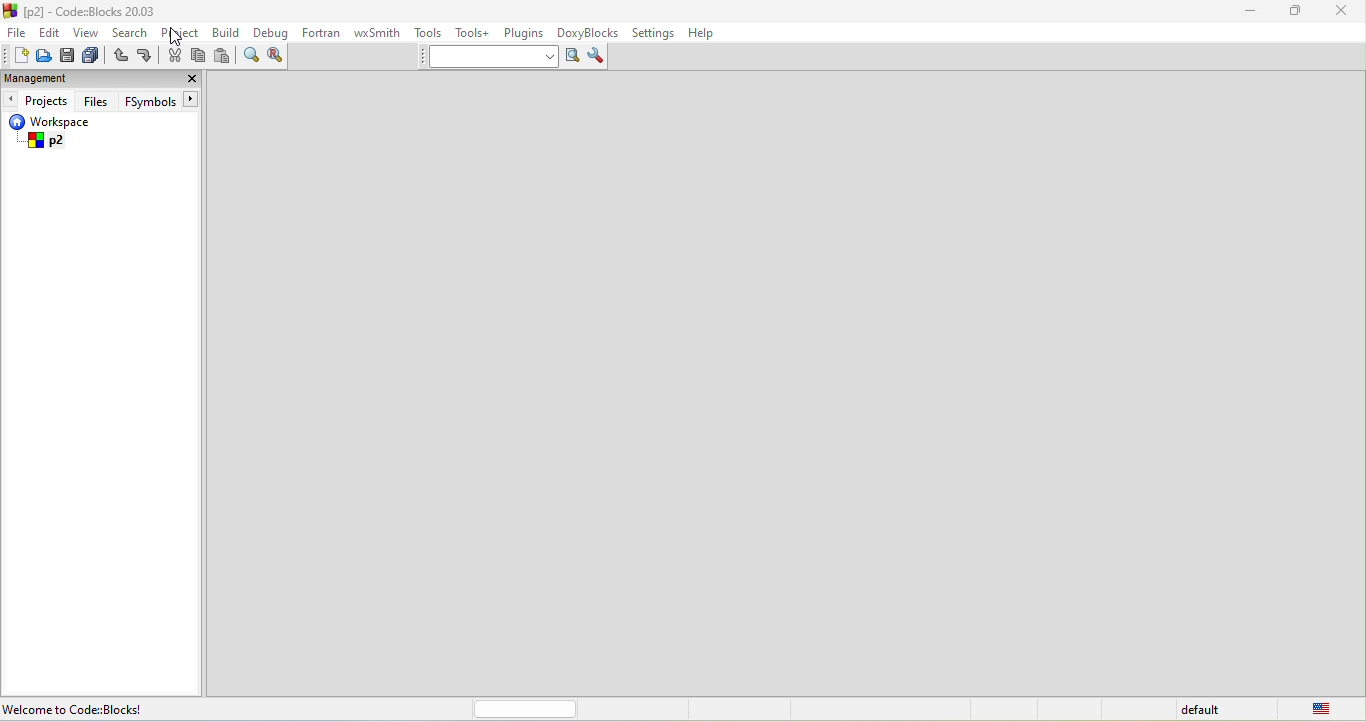  What do you see at coordinates (170, 39) in the screenshot?
I see `cursor` at bounding box center [170, 39].